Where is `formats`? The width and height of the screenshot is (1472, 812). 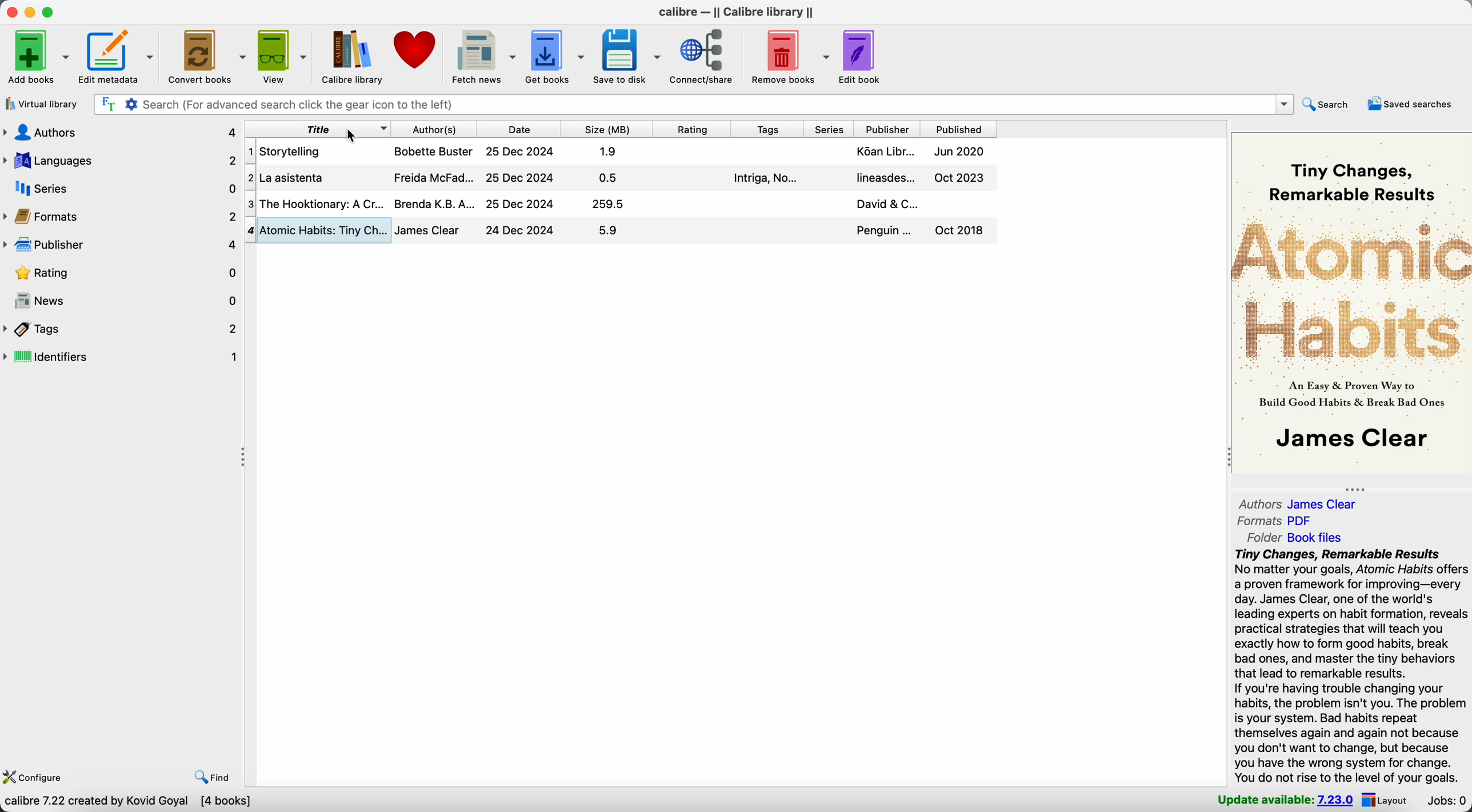
formats is located at coordinates (119, 218).